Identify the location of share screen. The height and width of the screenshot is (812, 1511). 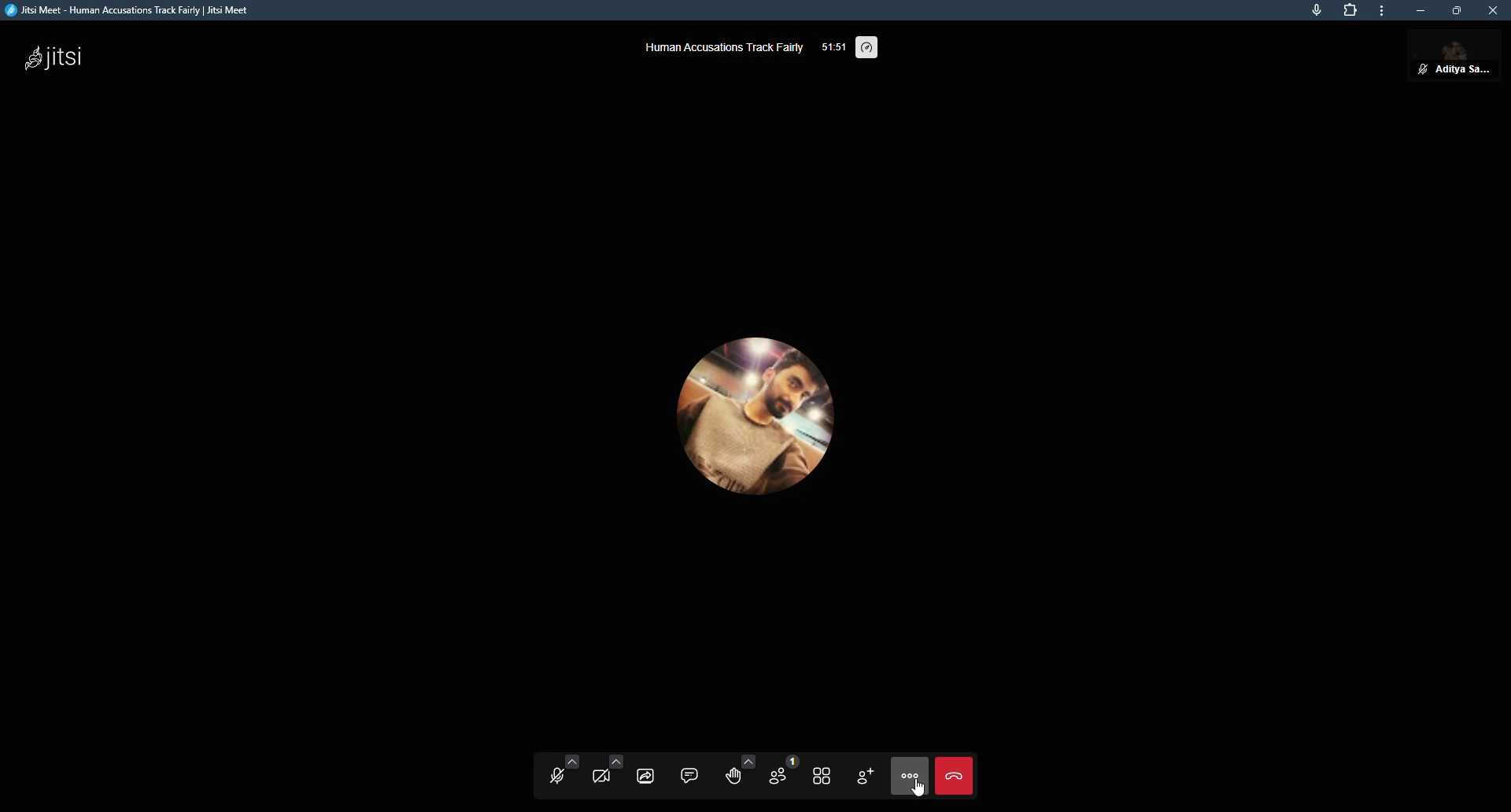
(644, 776).